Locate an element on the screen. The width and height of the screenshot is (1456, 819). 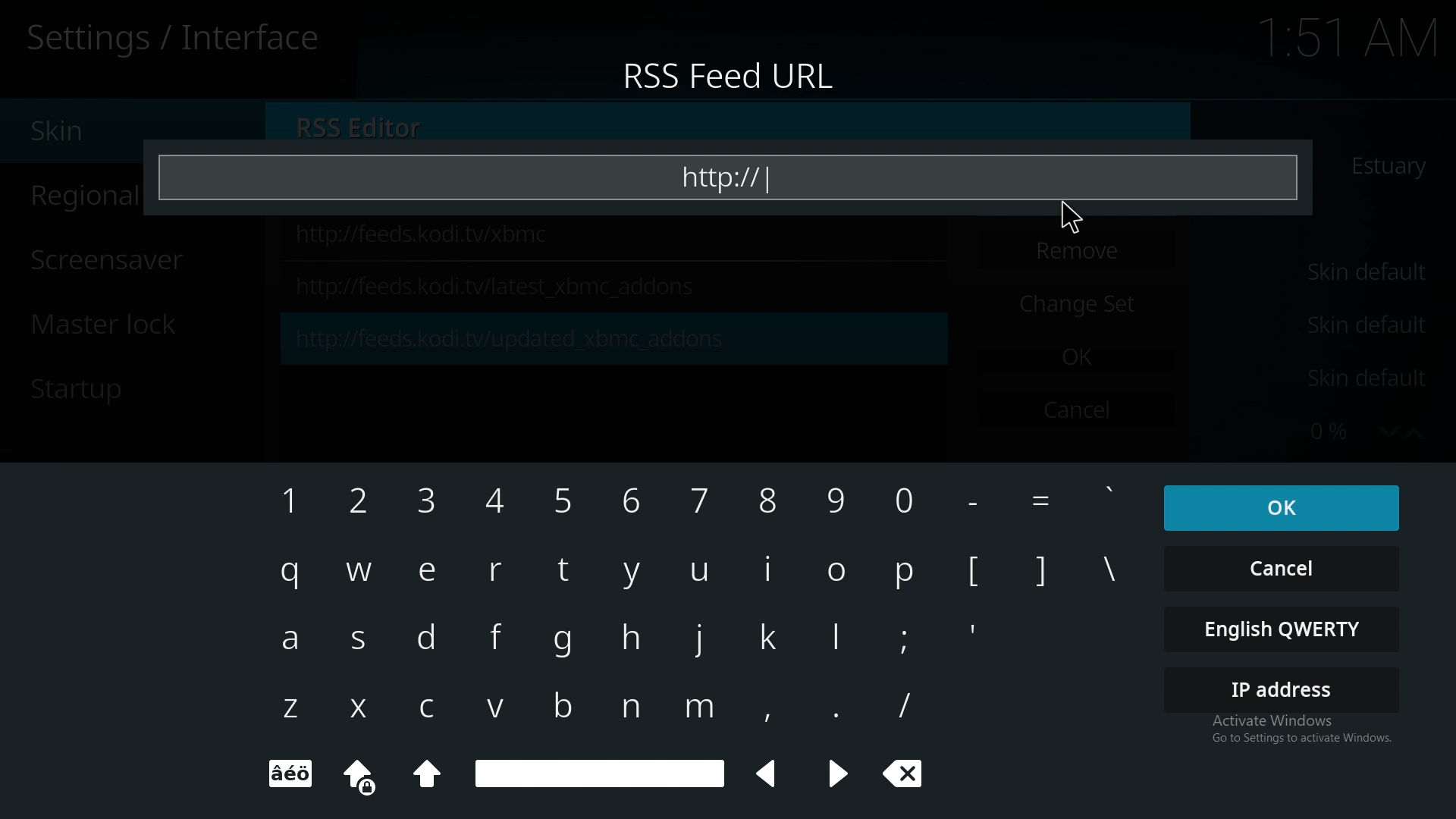
s is located at coordinates (359, 642).